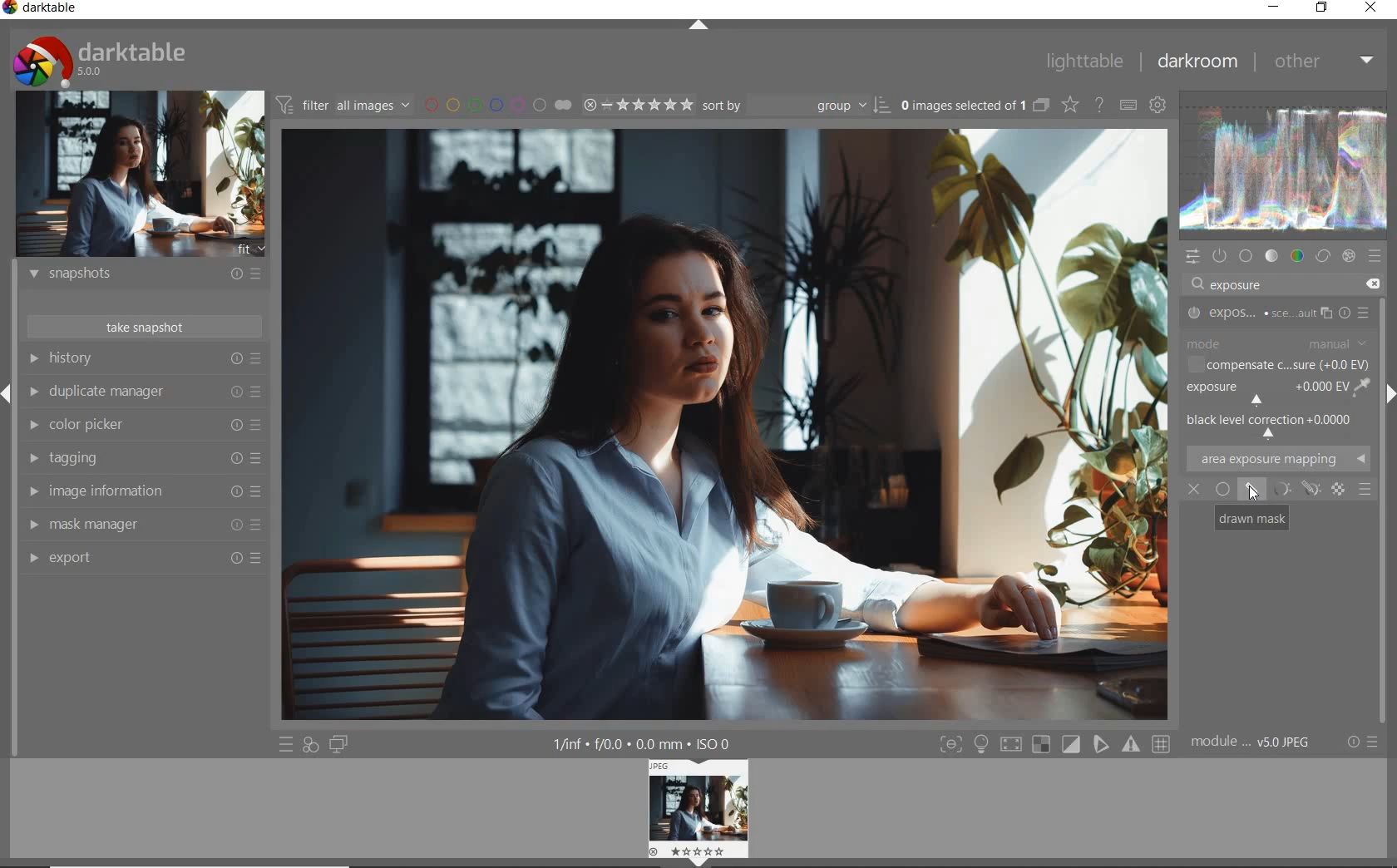 The image size is (1397, 868). Describe the element at coordinates (146, 490) in the screenshot. I see `image information` at that location.